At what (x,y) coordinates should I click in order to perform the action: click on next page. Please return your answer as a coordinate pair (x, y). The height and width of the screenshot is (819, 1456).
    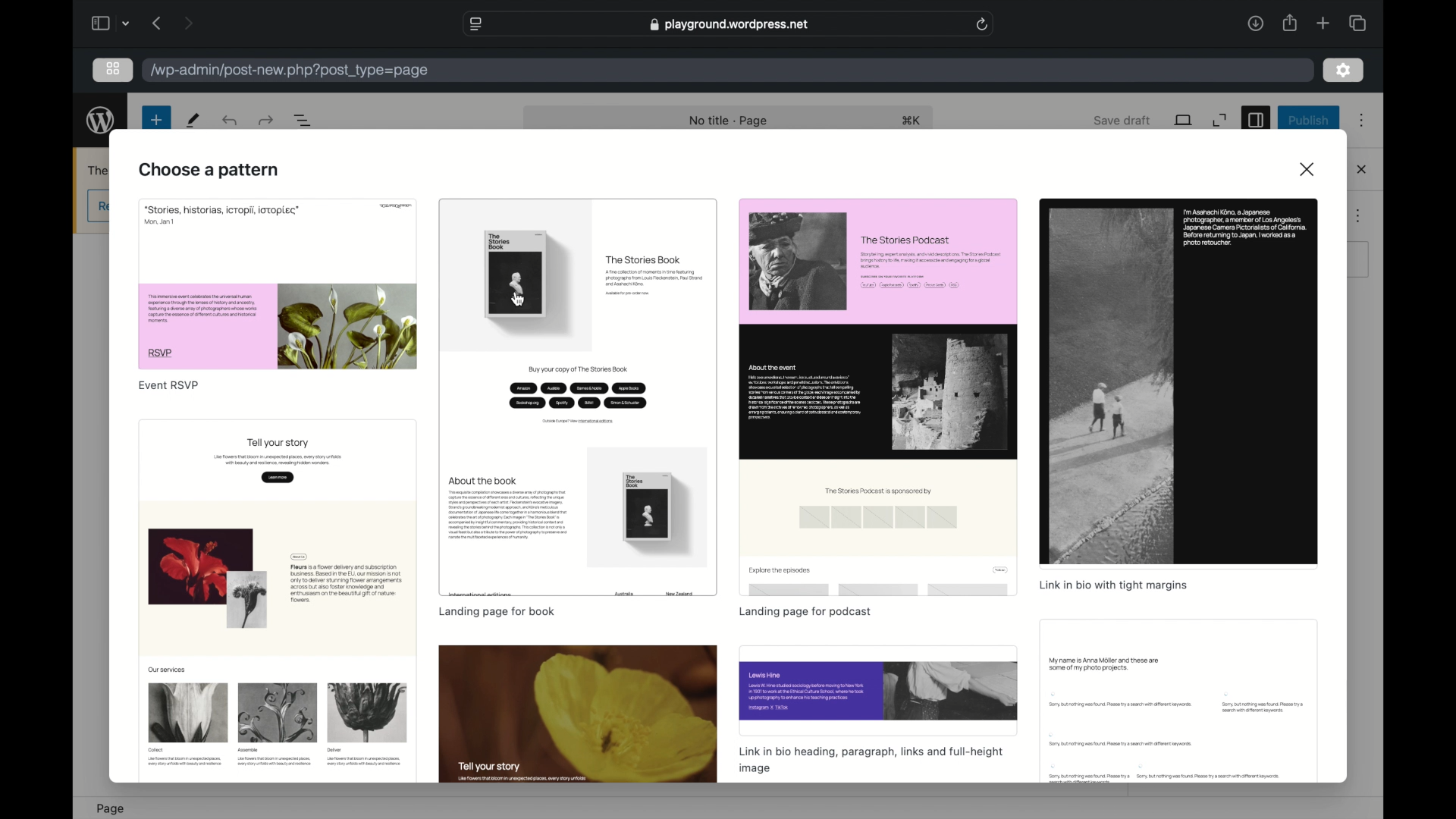
    Looking at the image, I should click on (189, 24).